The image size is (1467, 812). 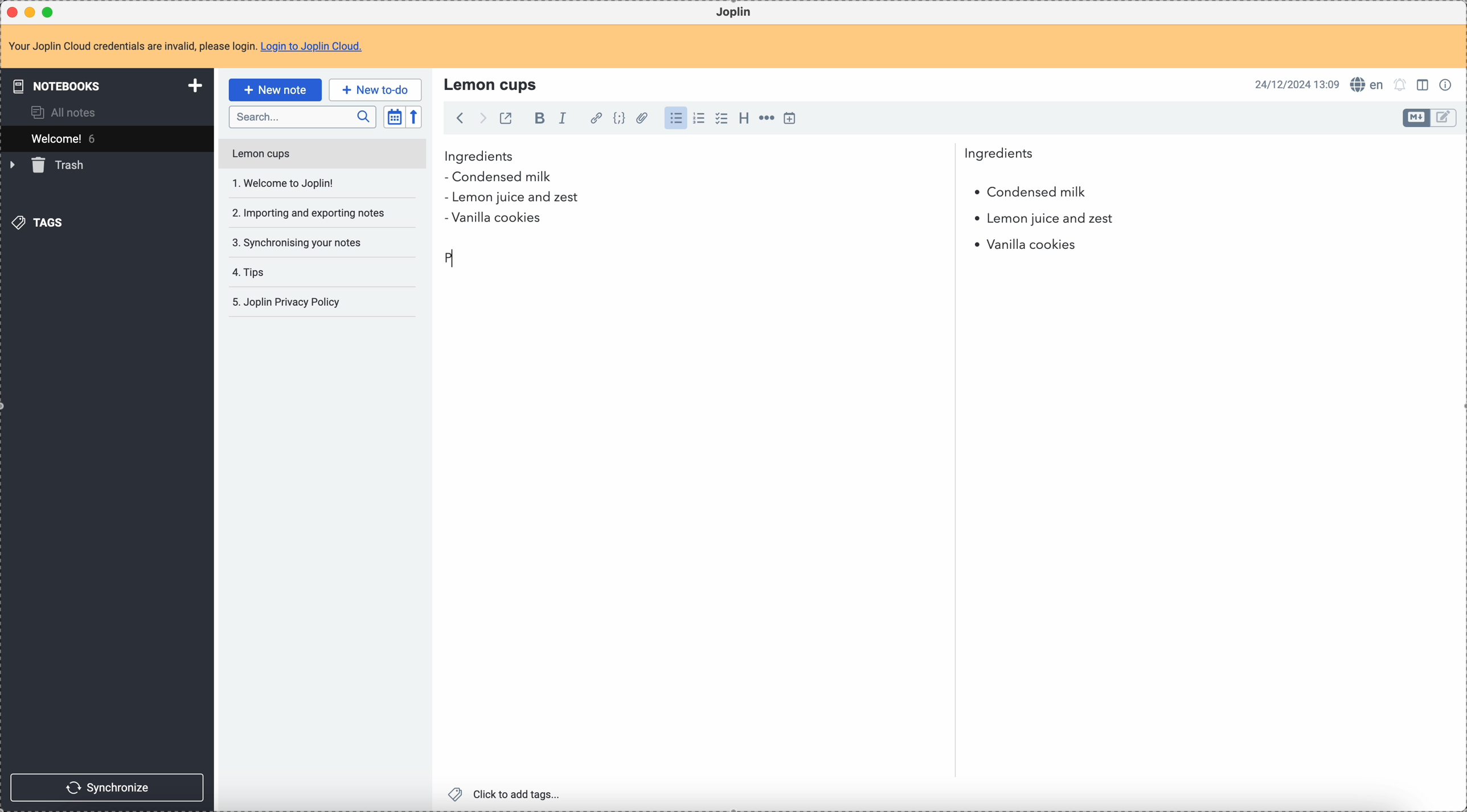 I want to click on lemon juice and zest, so click(x=511, y=199).